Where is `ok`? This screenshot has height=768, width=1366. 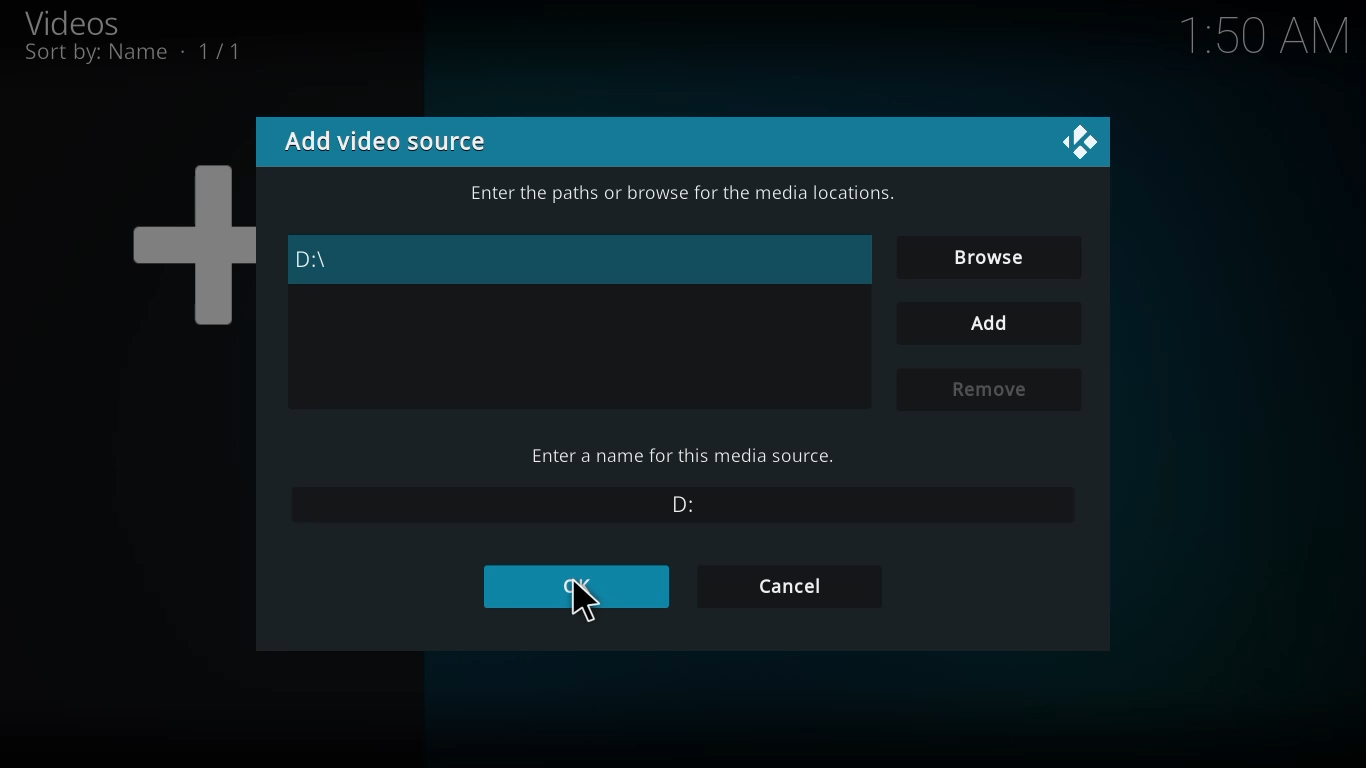
ok is located at coordinates (585, 588).